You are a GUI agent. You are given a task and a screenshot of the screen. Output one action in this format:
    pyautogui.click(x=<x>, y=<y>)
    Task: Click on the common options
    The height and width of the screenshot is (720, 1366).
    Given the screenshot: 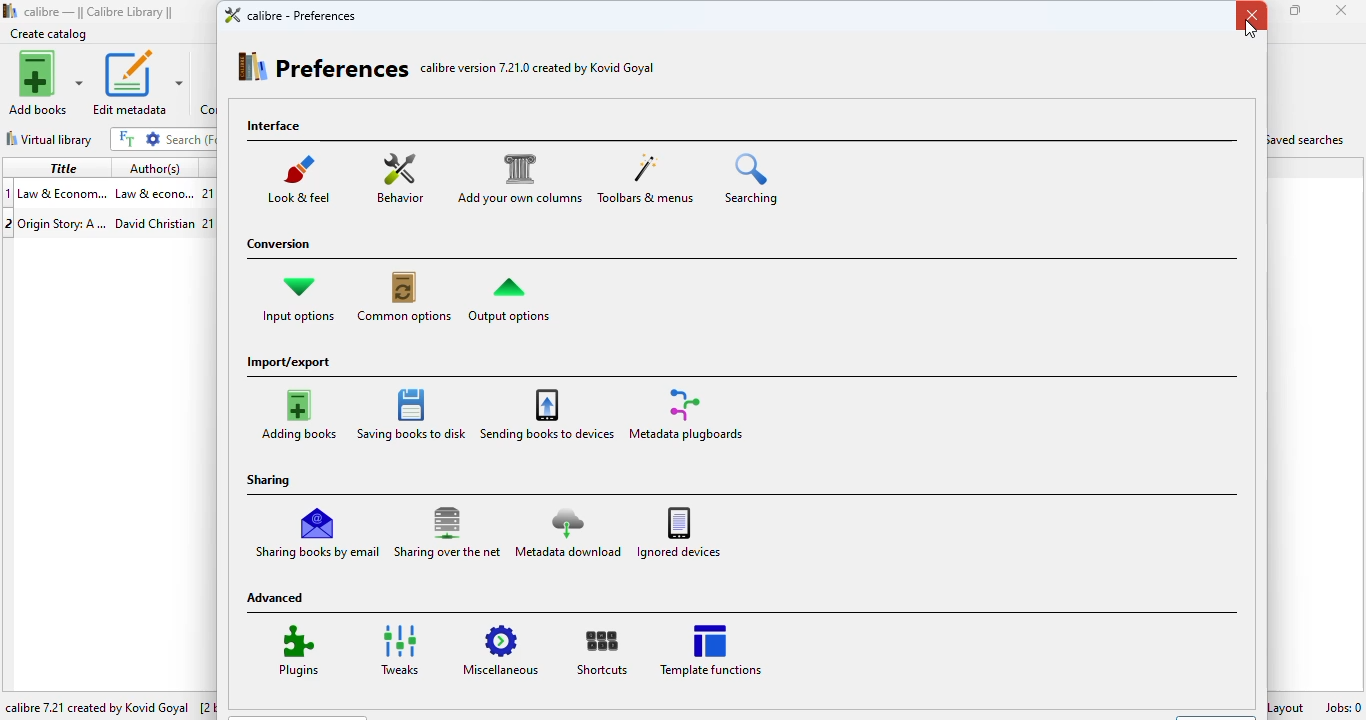 What is the action you would take?
    pyautogui.click(x=404, y=297)
    